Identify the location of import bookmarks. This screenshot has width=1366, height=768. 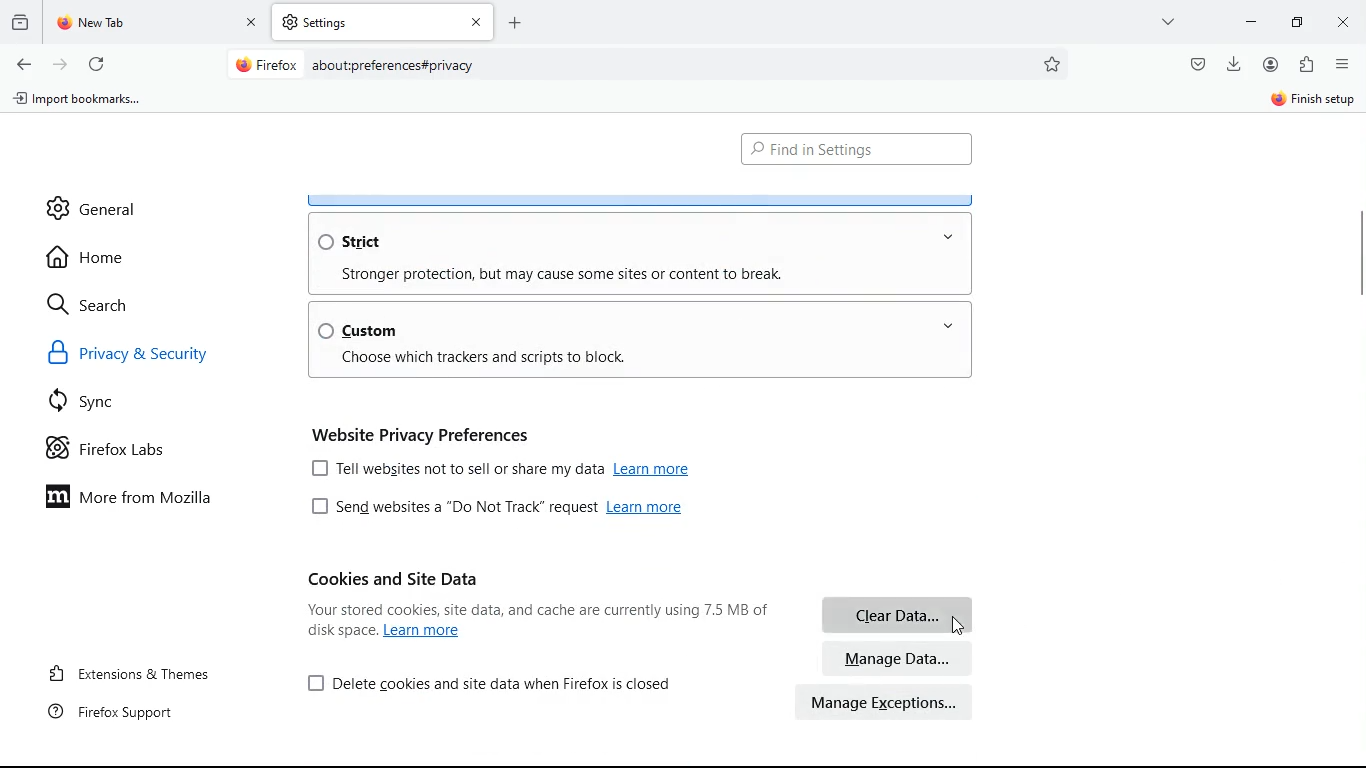
(84, 103).